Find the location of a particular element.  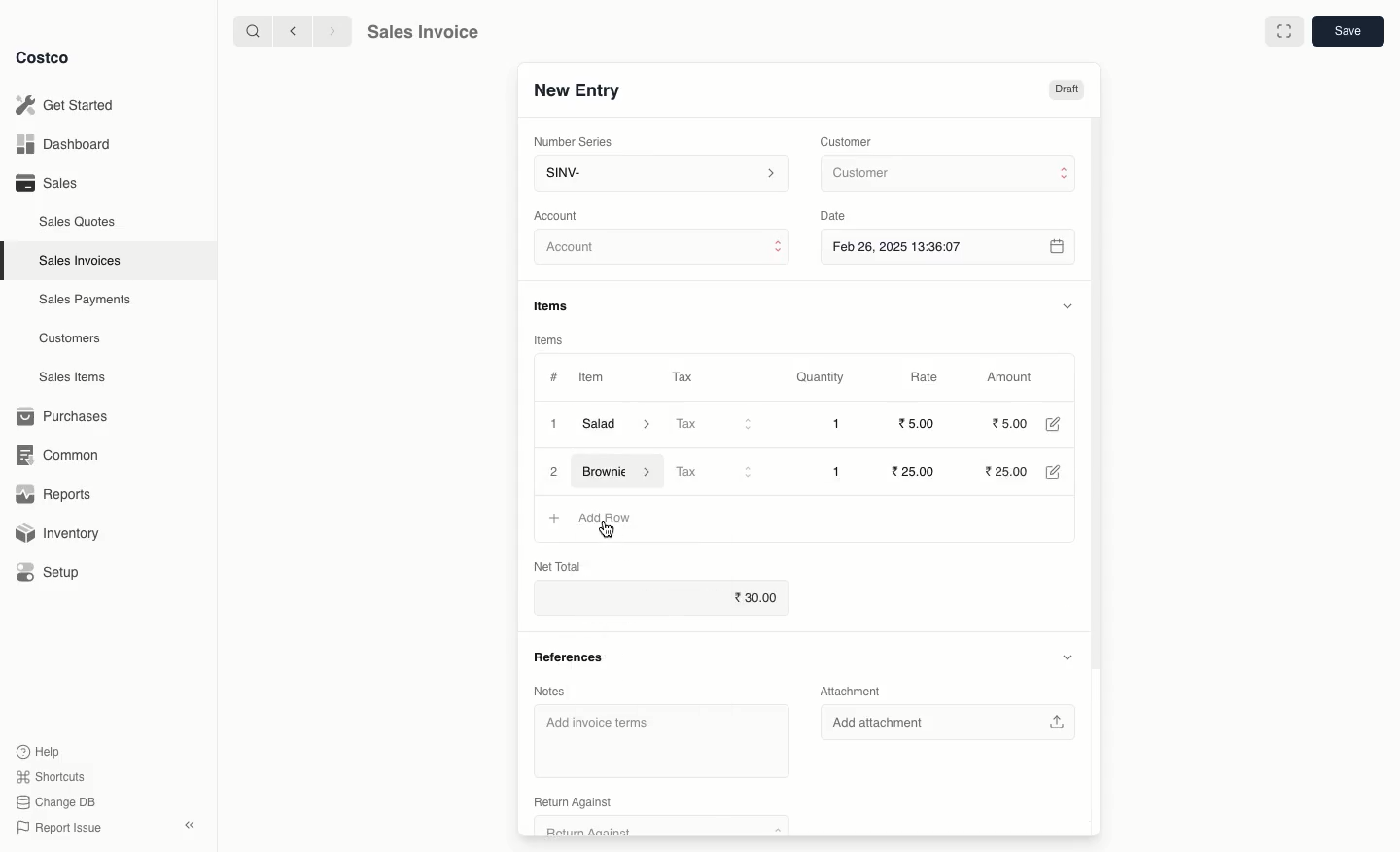

Tax is located at coordinates (713, 470).